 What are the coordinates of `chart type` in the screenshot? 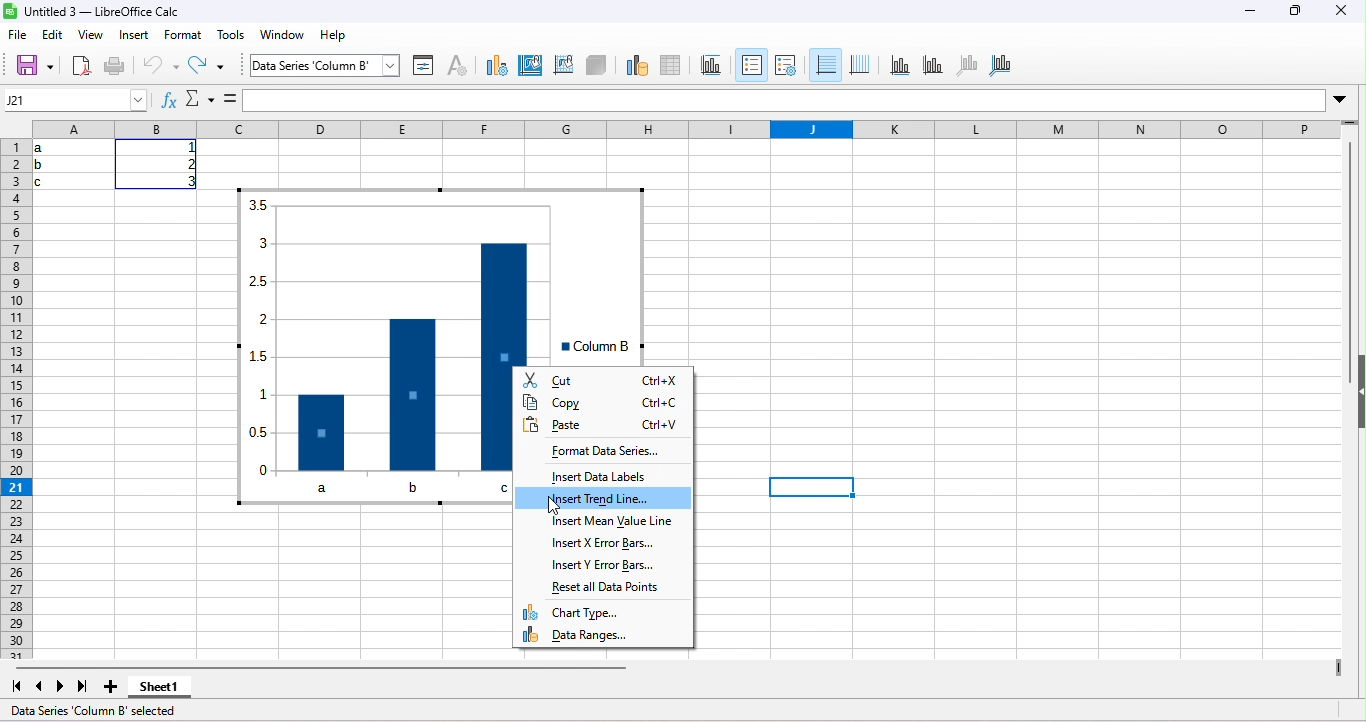 It's located at (592, 614).